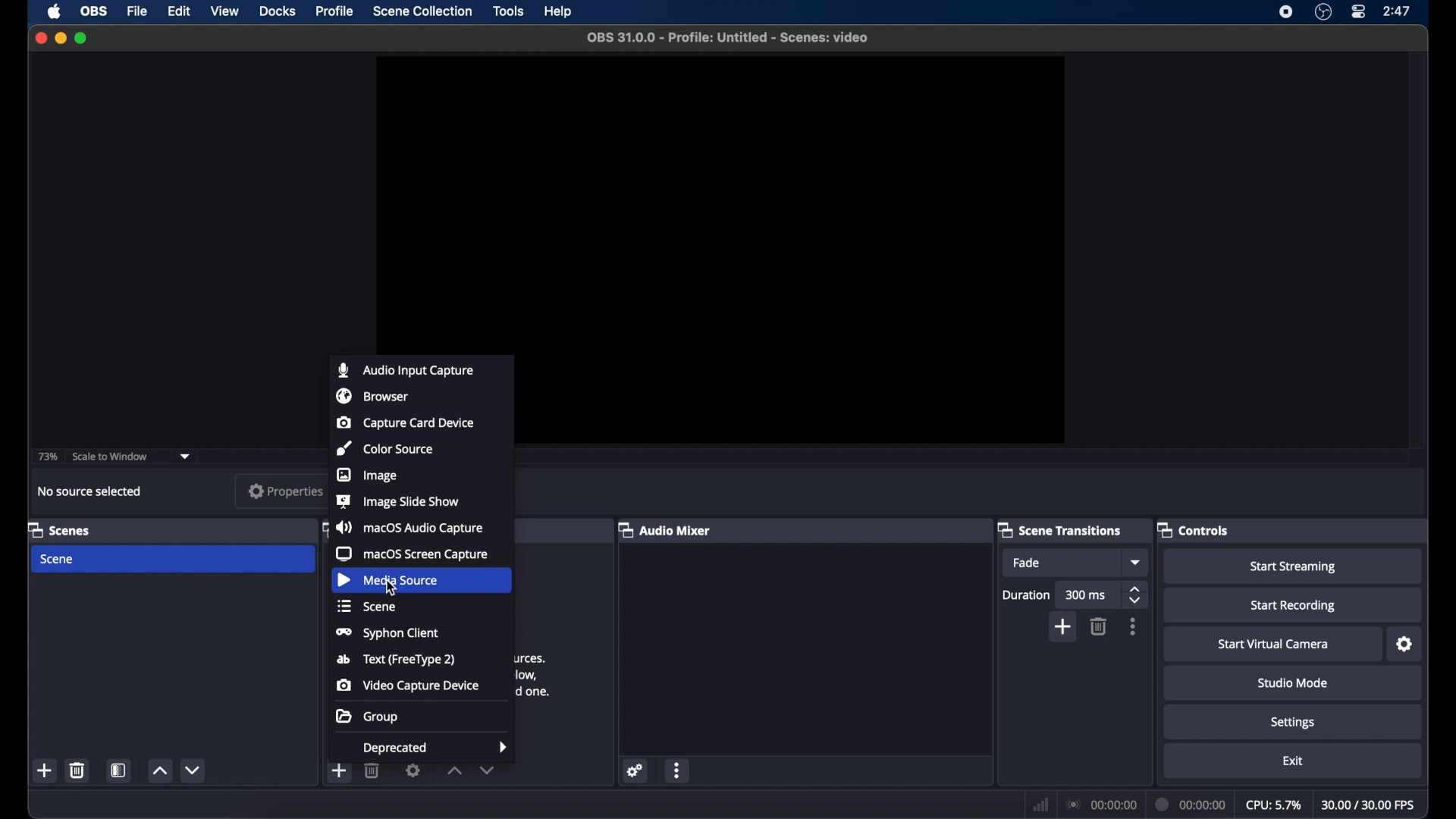  Describe the element at coordinates (406, 422) in the screenshot. I see `capture card device` at that location.